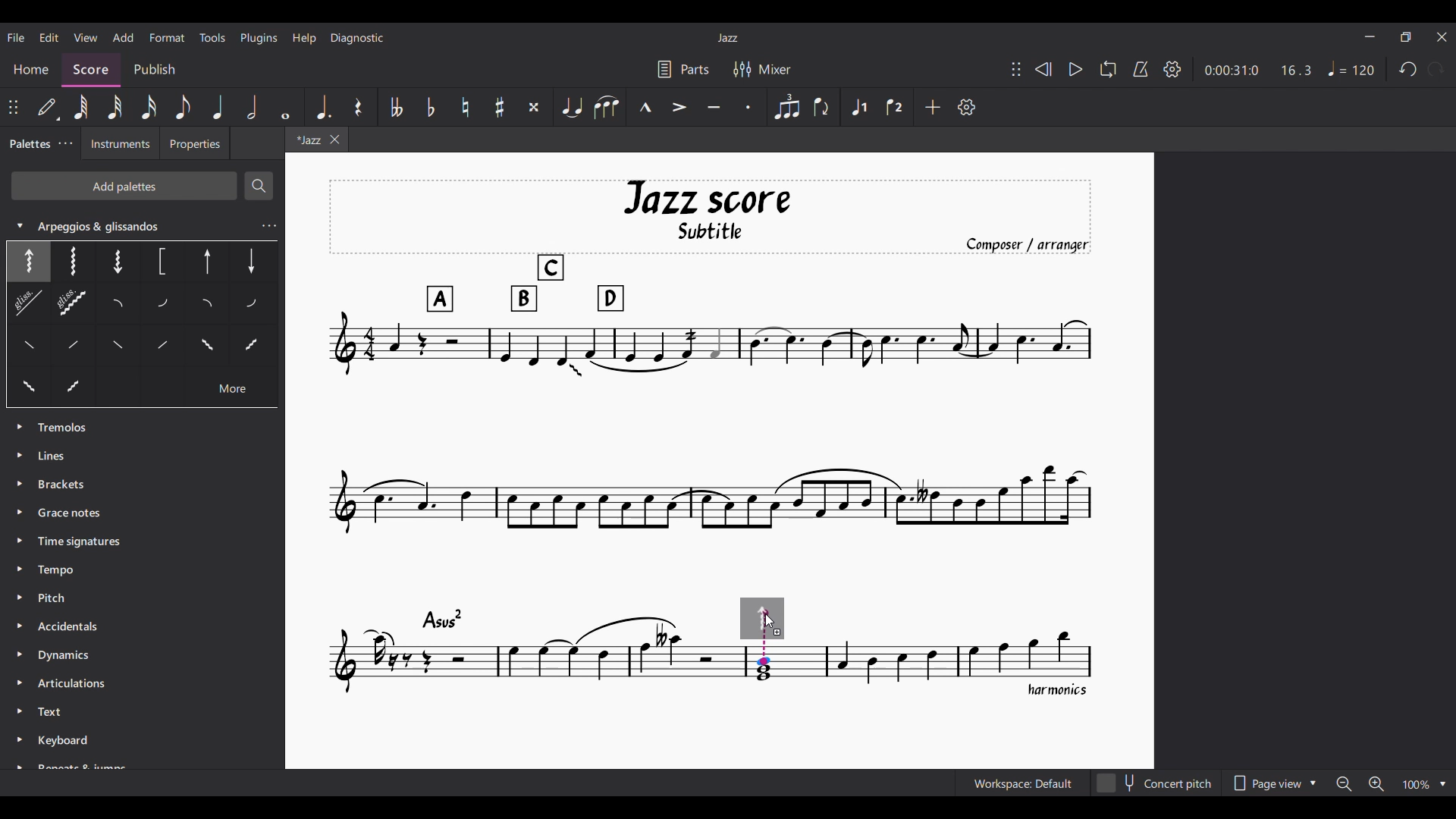  I want to click on Duration and ratio, so click(1258, 70).